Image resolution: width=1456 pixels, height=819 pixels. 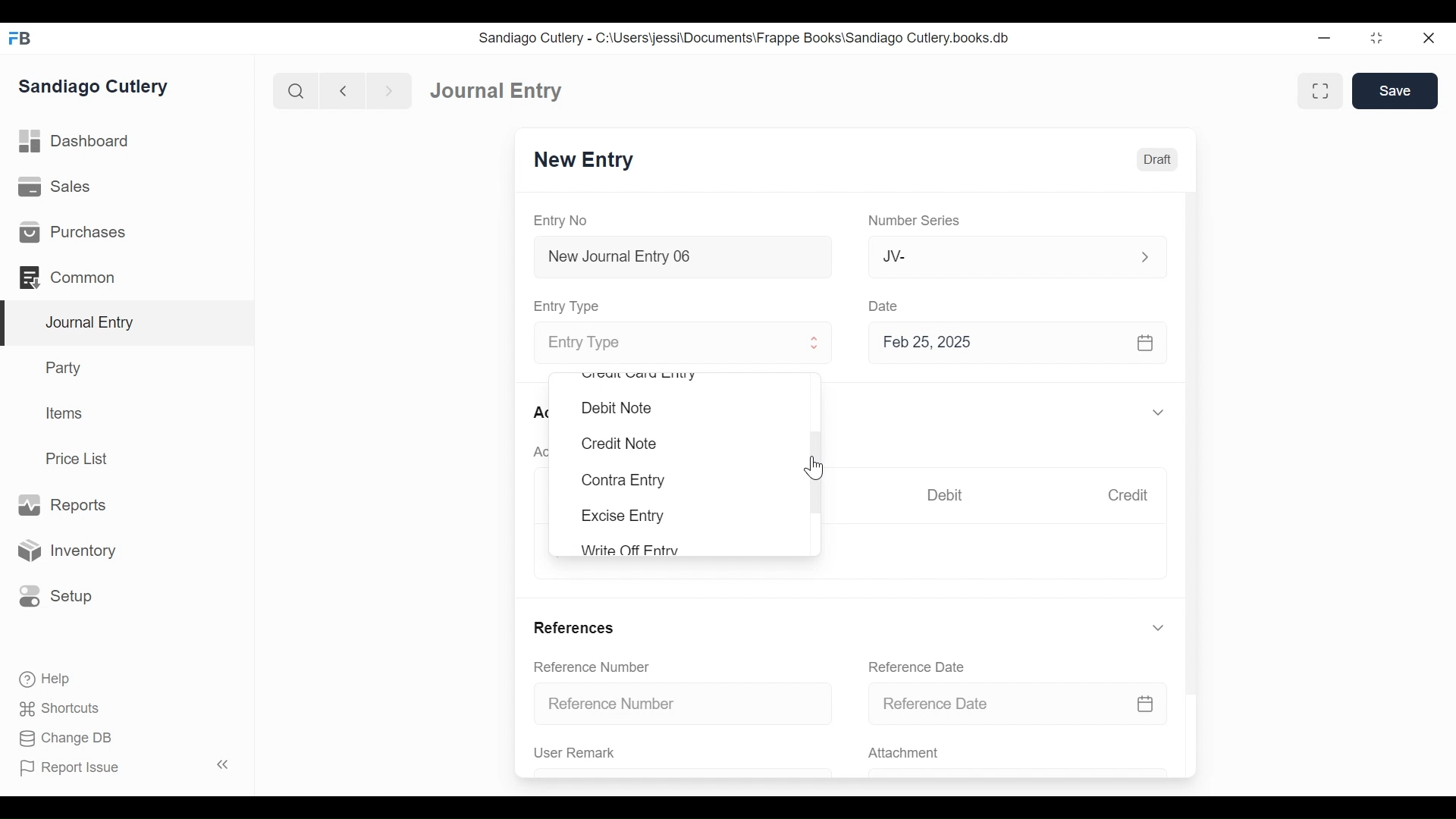 I want to click on minimize, so click(x=1325, y=37).